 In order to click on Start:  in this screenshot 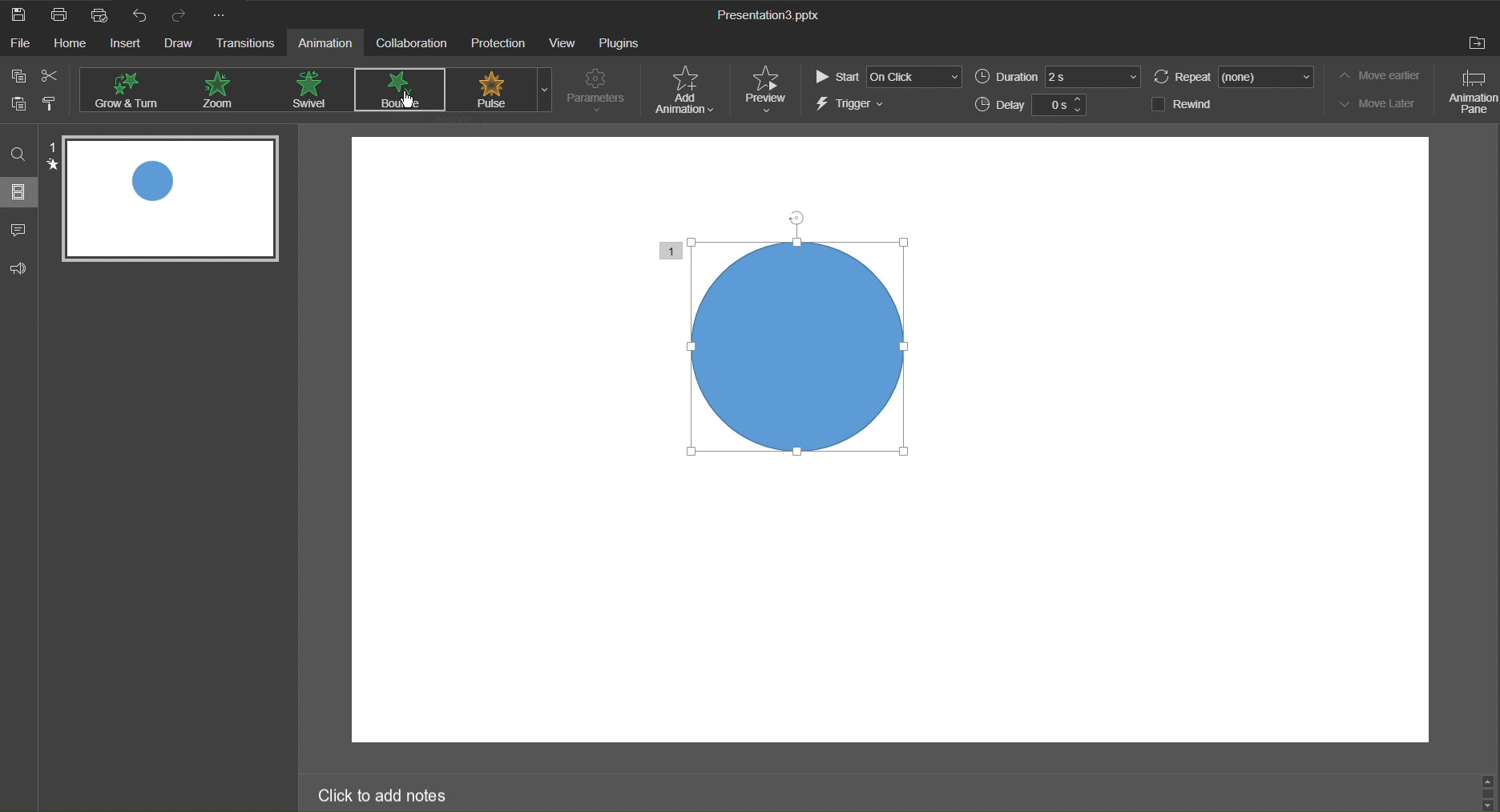, I will do `click(836, 77)`.